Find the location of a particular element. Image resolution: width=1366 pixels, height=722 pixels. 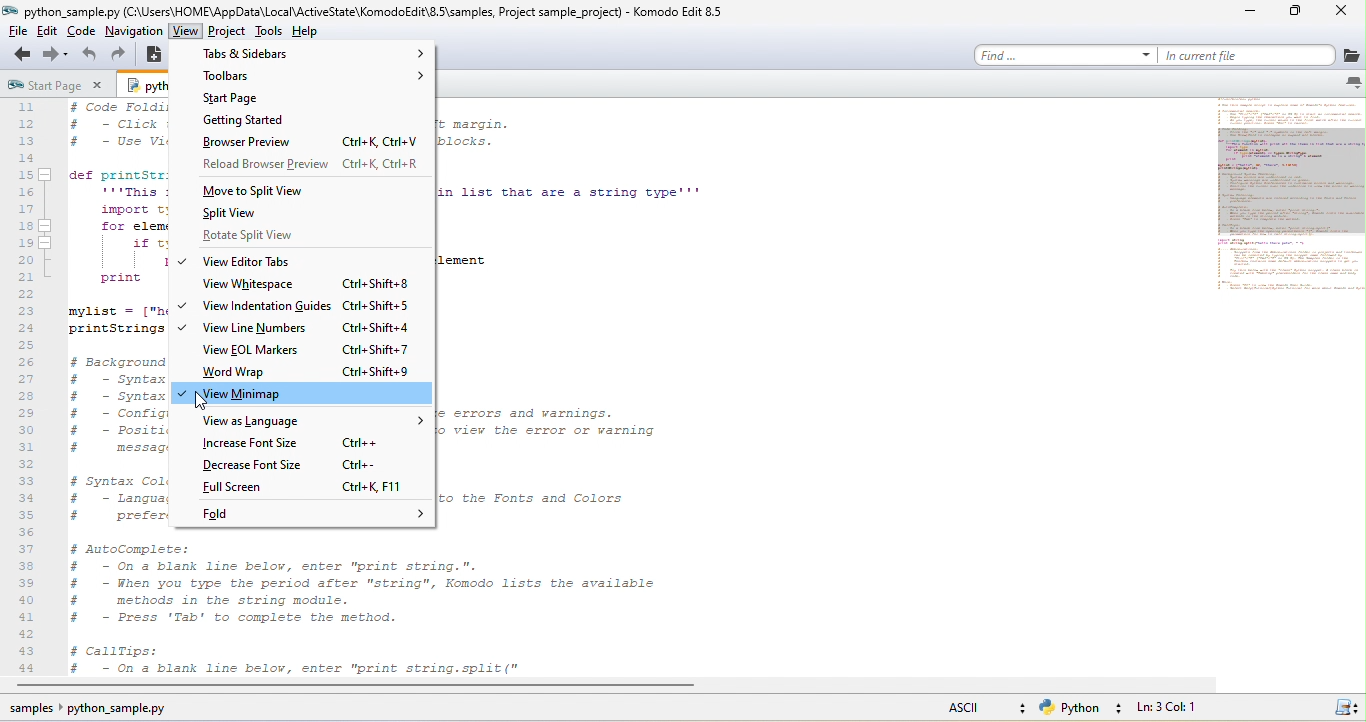

decrease font style is located at coordinates (291, 468).